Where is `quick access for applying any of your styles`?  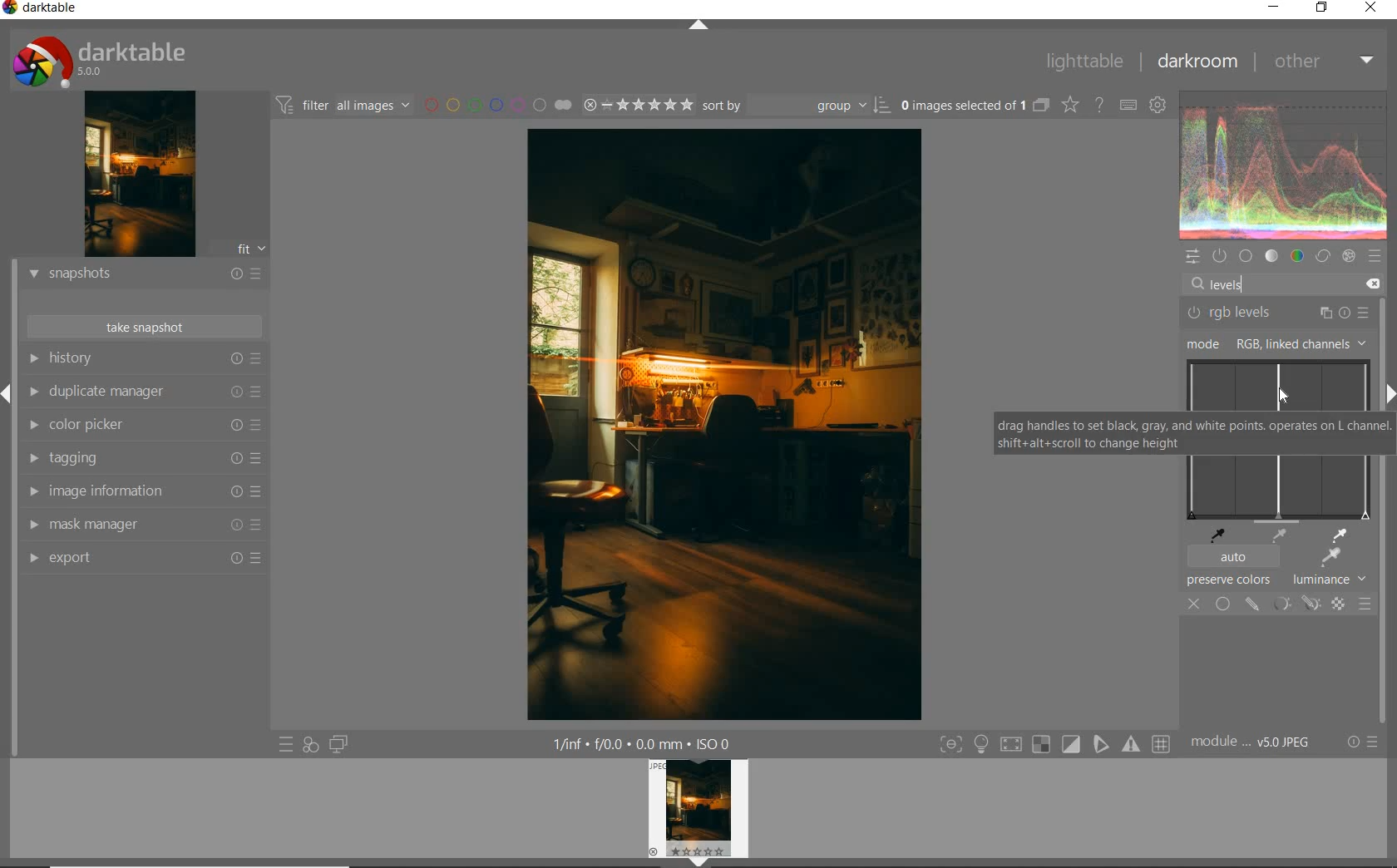
quick access for applying any of your styles is located at coordinates (311, 743).